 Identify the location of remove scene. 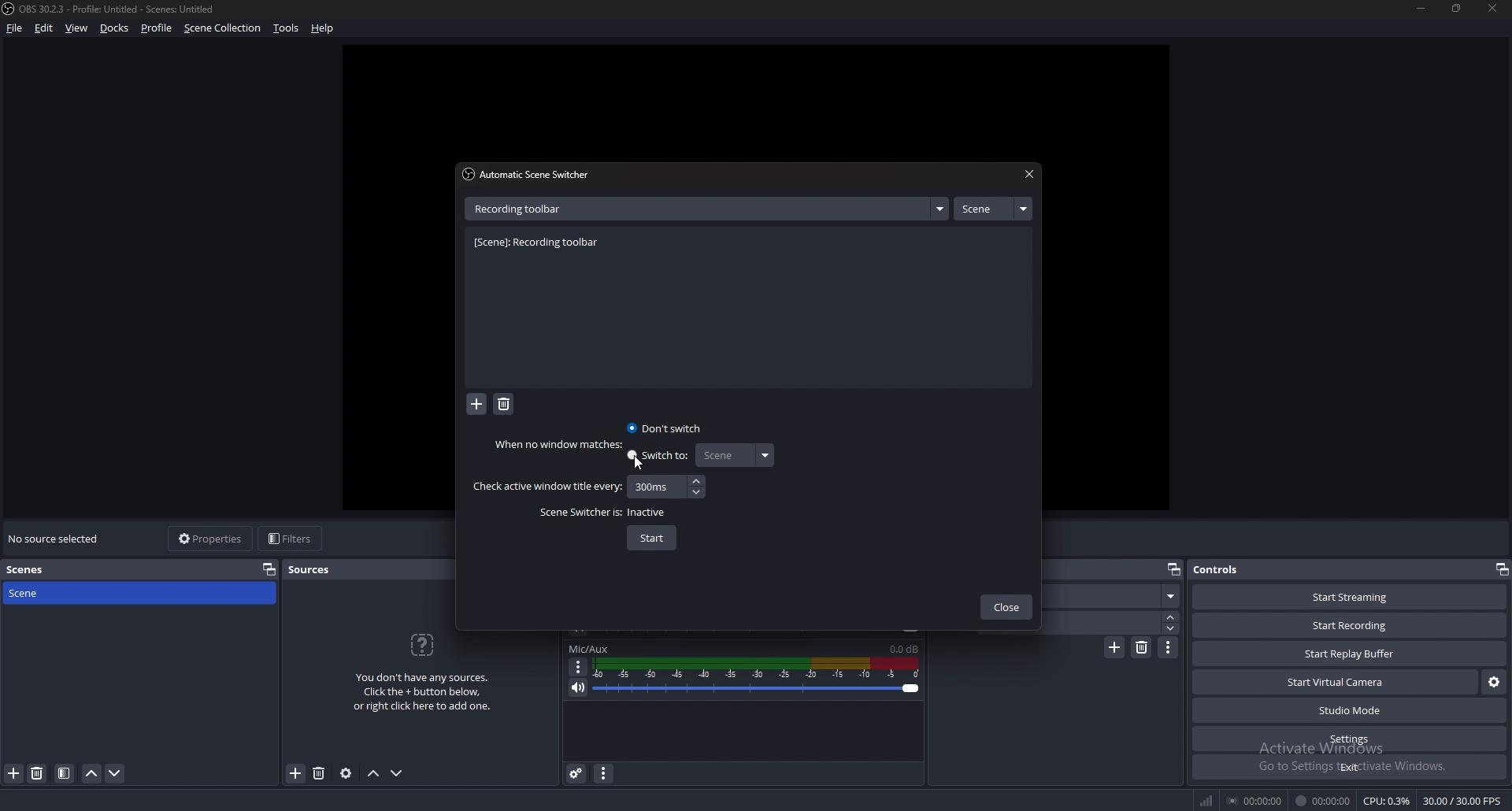
(37, 773).